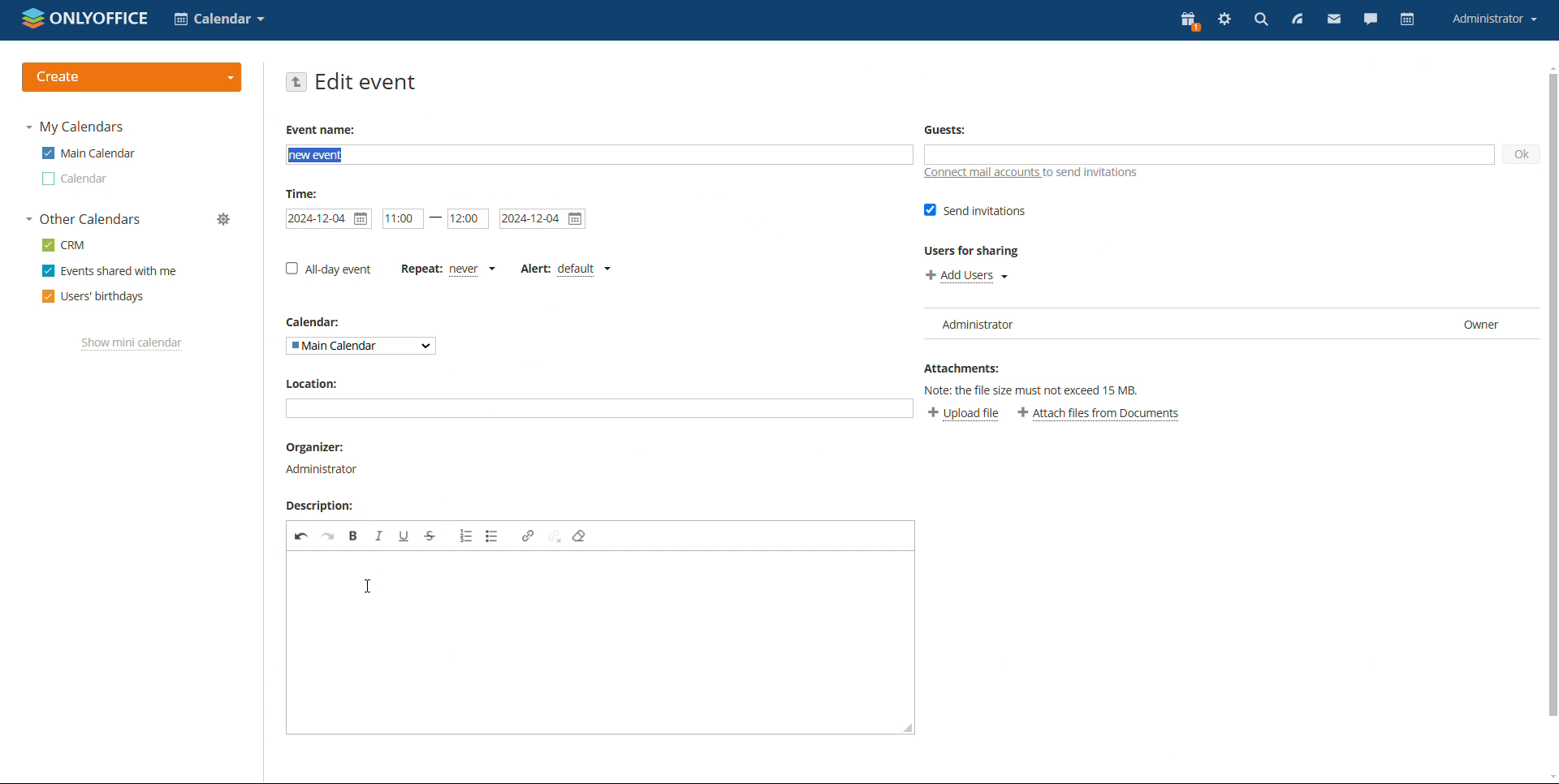  I want to click on add users, so click(967, 275).